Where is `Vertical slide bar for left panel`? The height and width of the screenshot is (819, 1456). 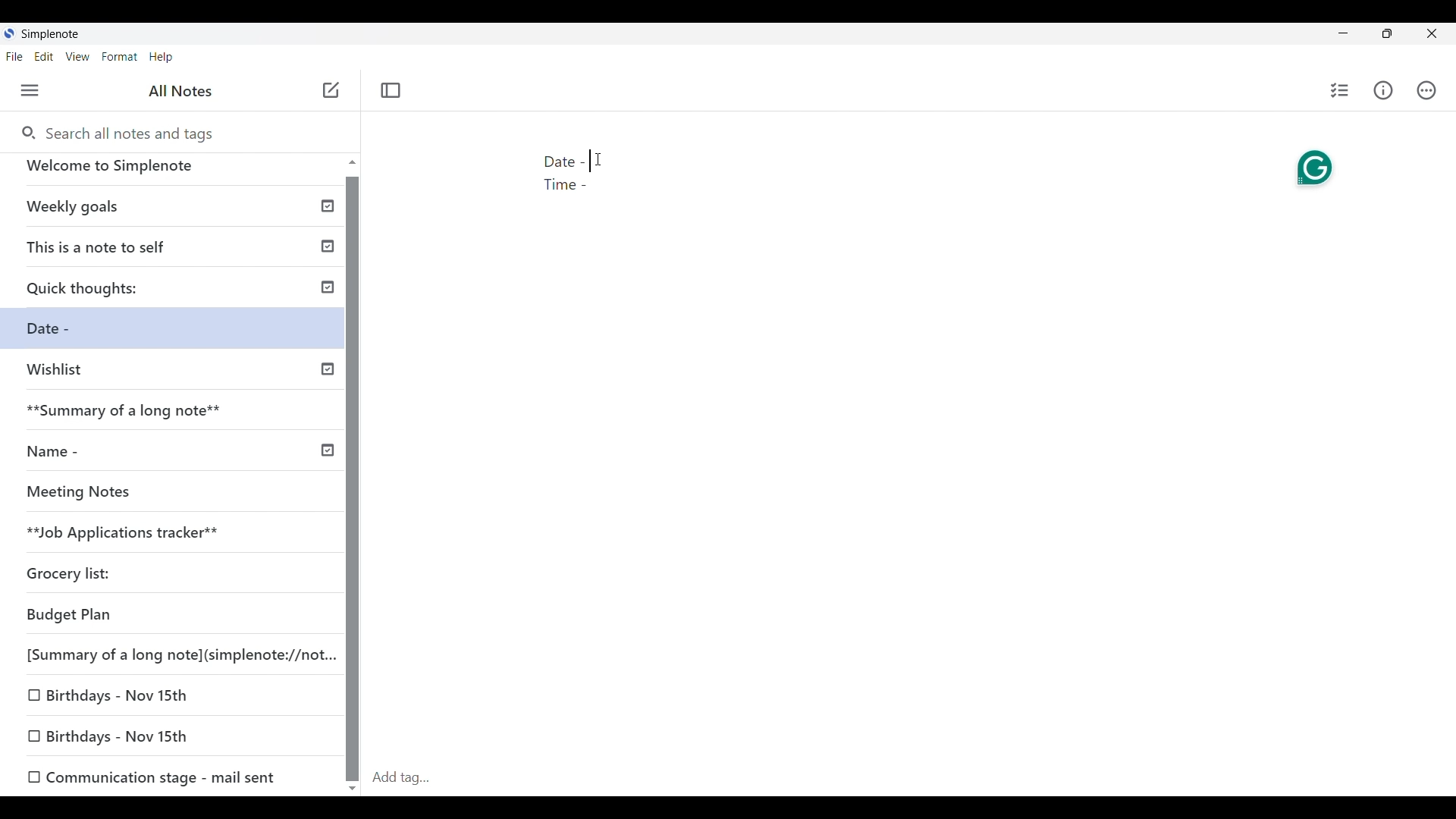 Vertical slide bar for left panel is located at coordinates (352, 479).